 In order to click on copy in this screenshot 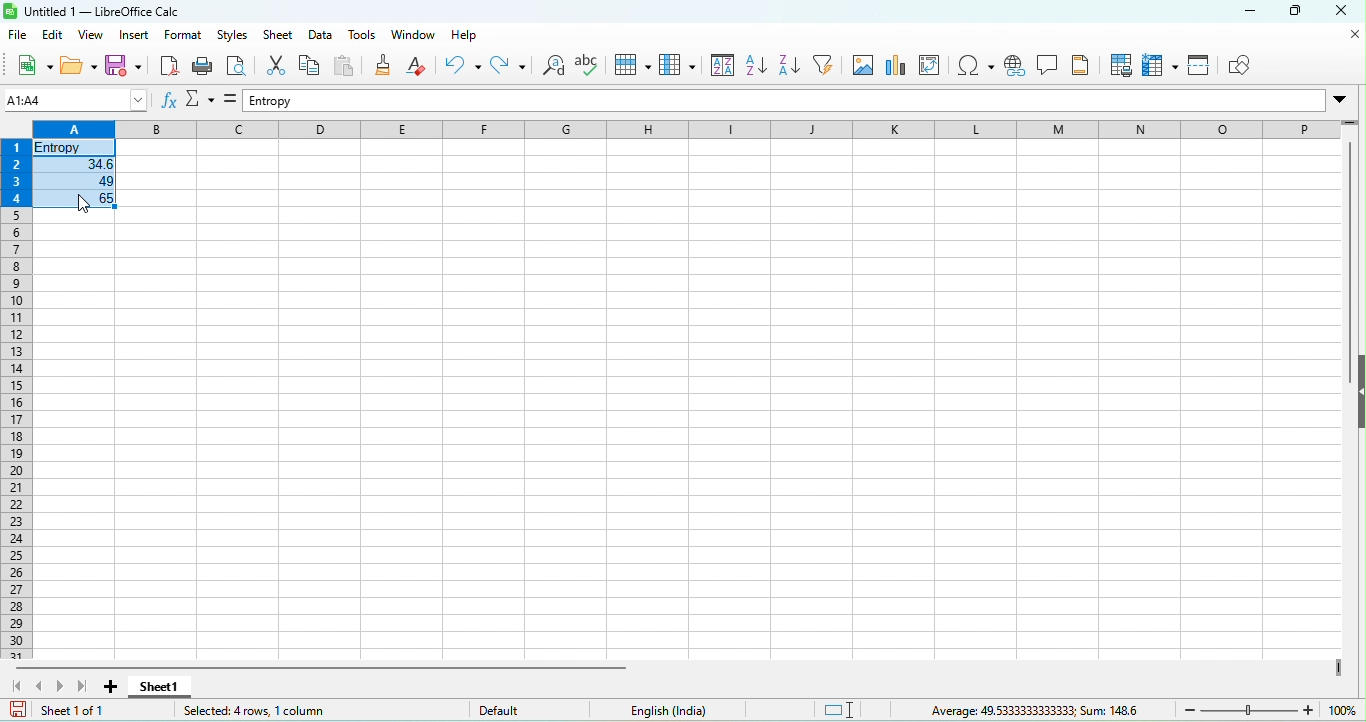, I will do `click(307, 66)`.